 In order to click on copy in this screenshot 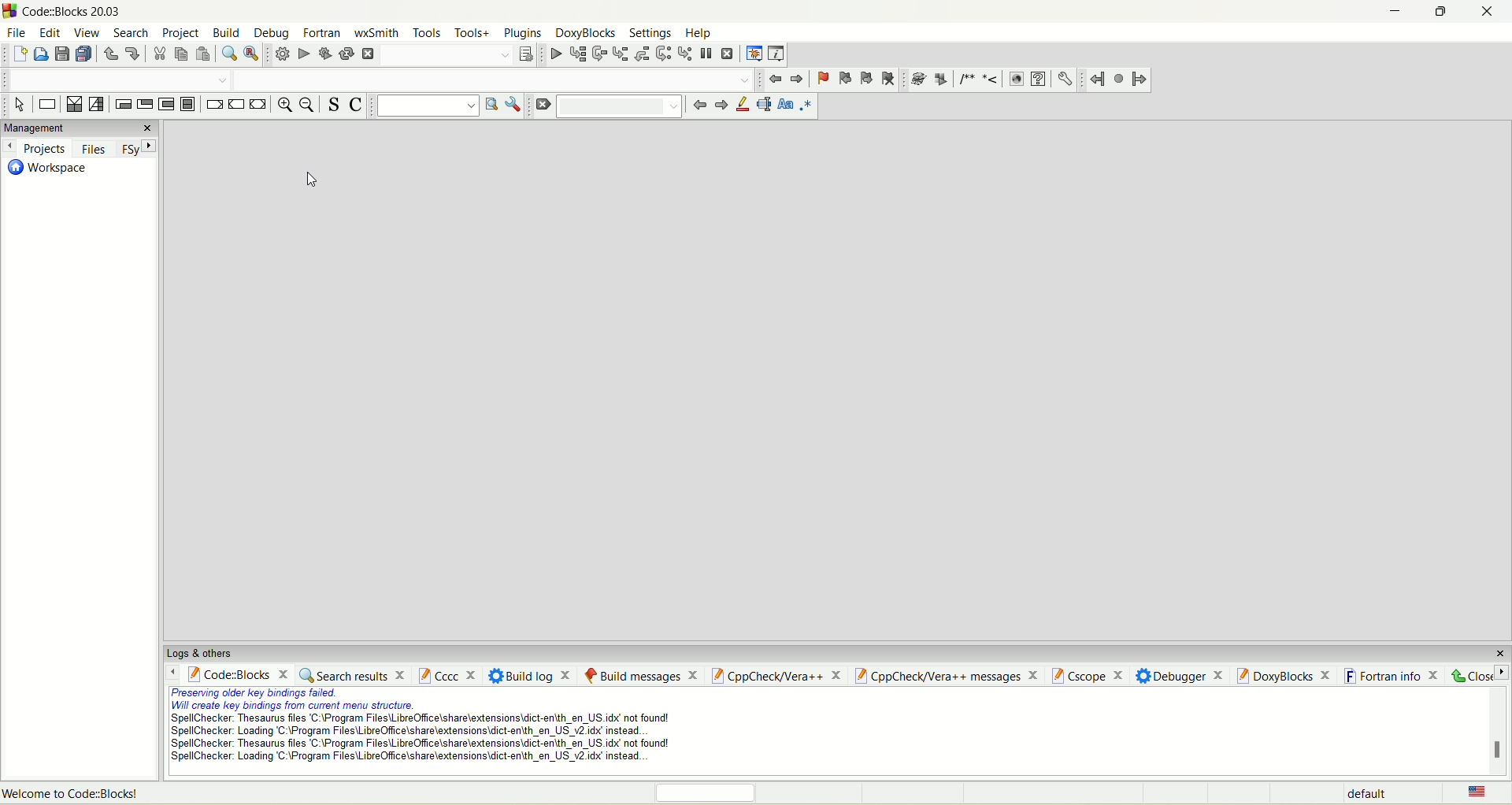, I will do `click(183, 54)`.